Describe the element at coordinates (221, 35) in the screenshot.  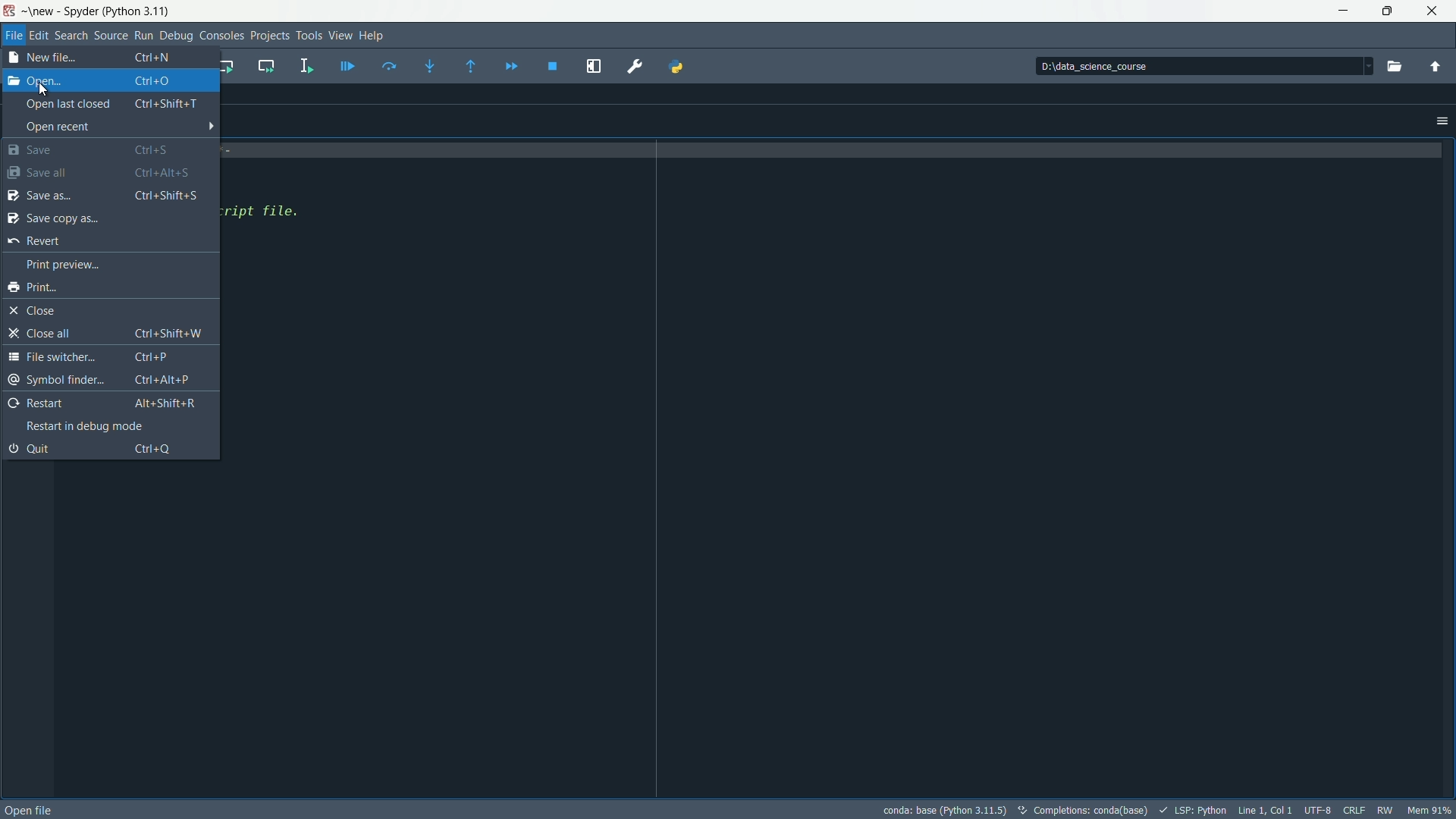
I see `consoles menu` at that location.